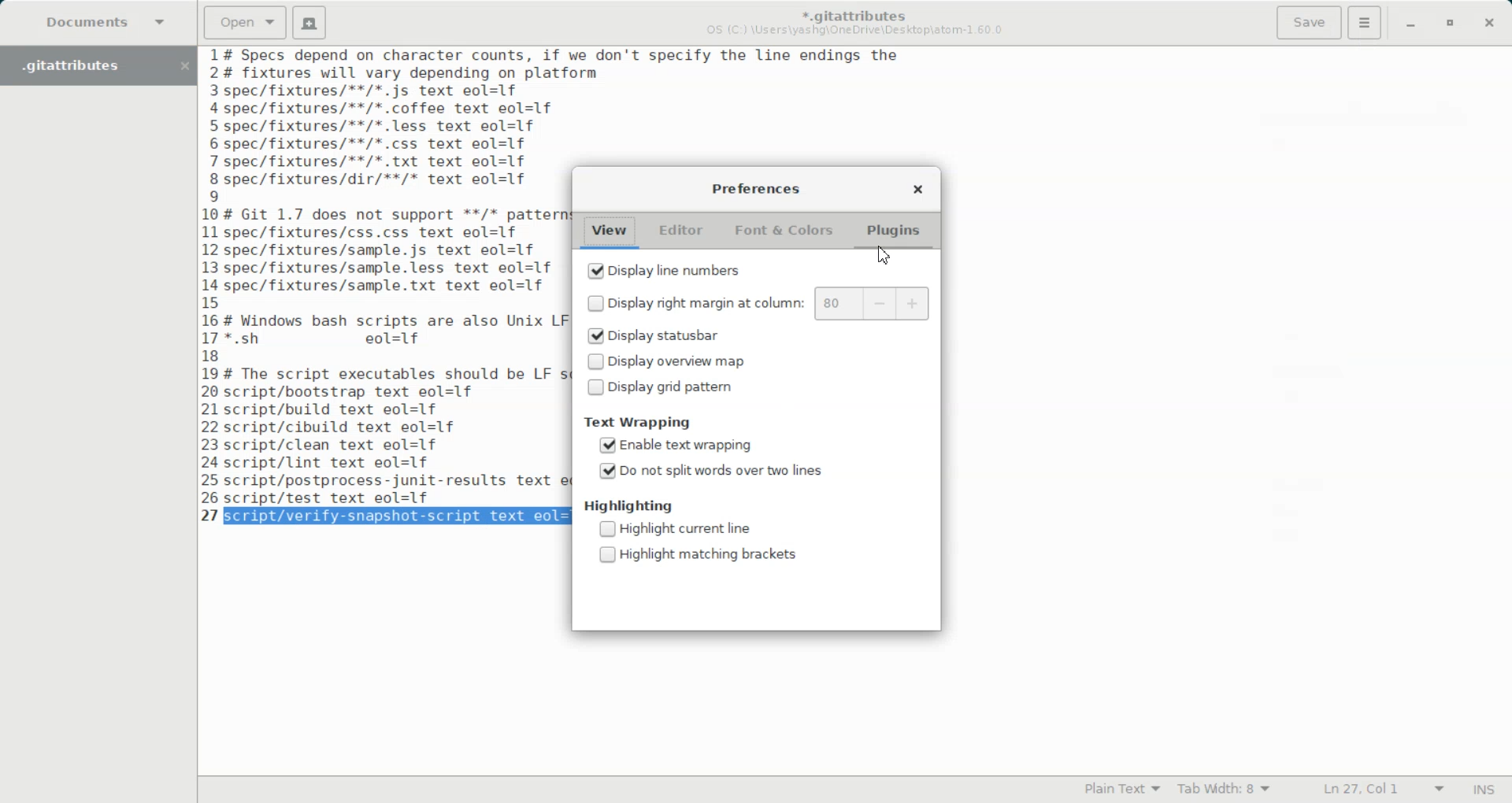 Image resolution: width=1512 pixels, height=803 pixels. What do you see at coordinates (690, 361) in the screenshot?
I see `Display overview map` at bounding box center [690, 361].